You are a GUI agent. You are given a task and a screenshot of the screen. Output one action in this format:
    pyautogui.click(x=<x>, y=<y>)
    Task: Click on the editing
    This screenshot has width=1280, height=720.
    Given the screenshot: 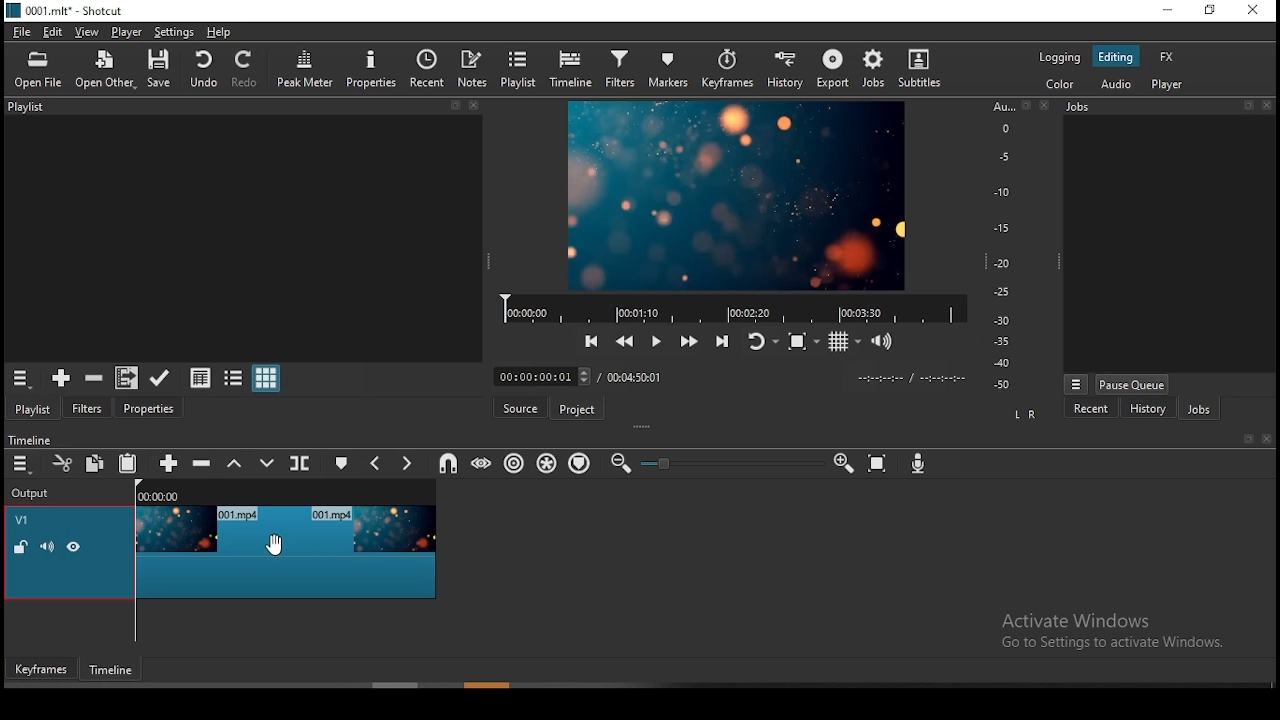 What is the action you would take?
    pyautogui.click(x=1115, y=55)
    